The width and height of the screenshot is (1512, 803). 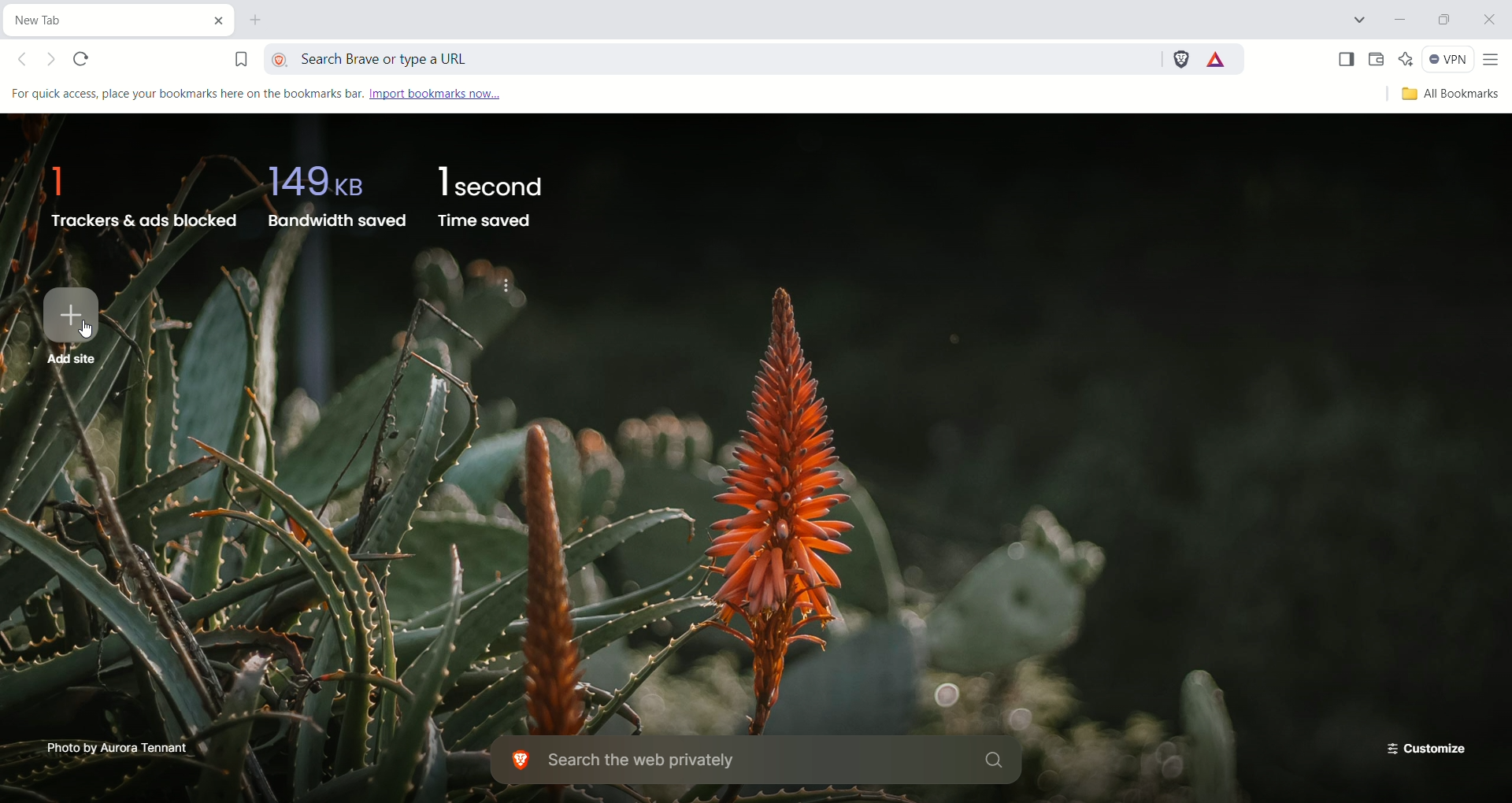 I want to click on search brave or type a URL, so click(x=714, y=56).